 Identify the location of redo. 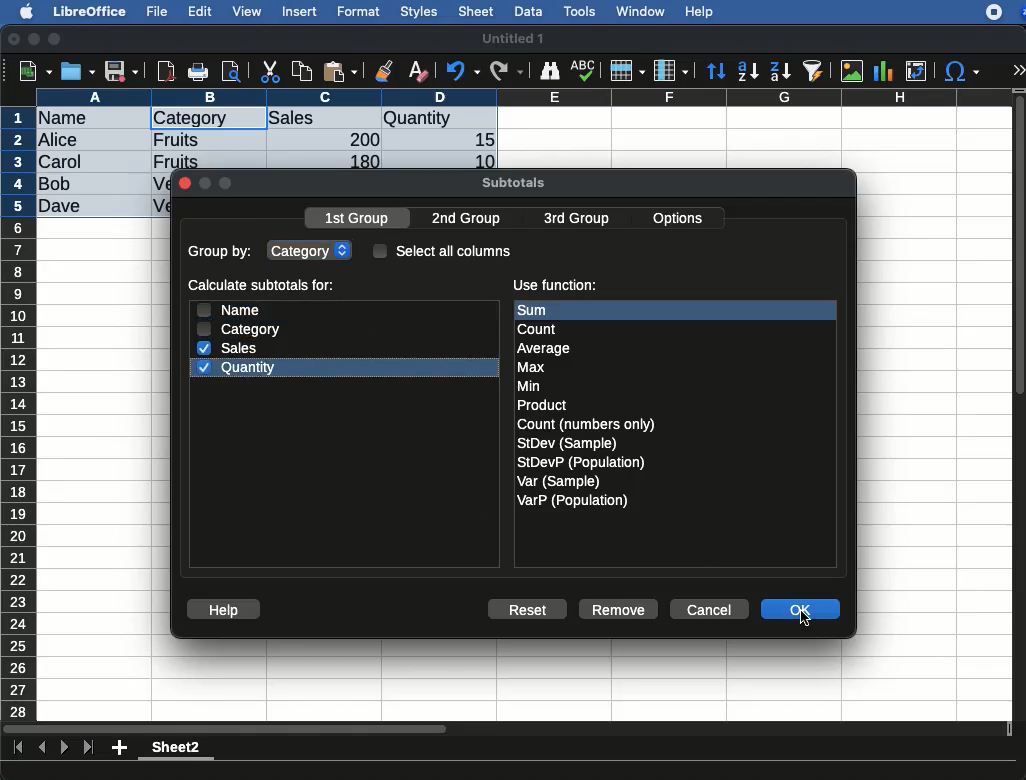
(507, 71).